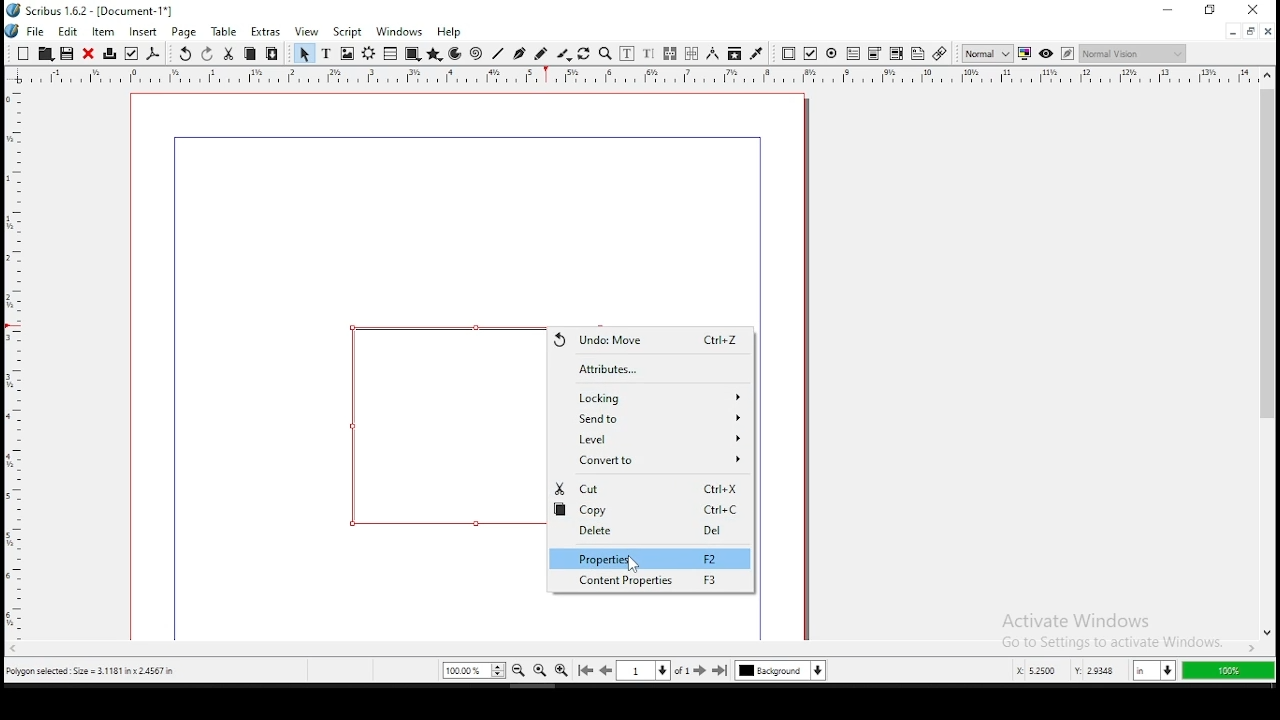  What do you see at coordinates (939, 53) in the screenshot?
I see `link annotation` at bounding box center [939, 53].